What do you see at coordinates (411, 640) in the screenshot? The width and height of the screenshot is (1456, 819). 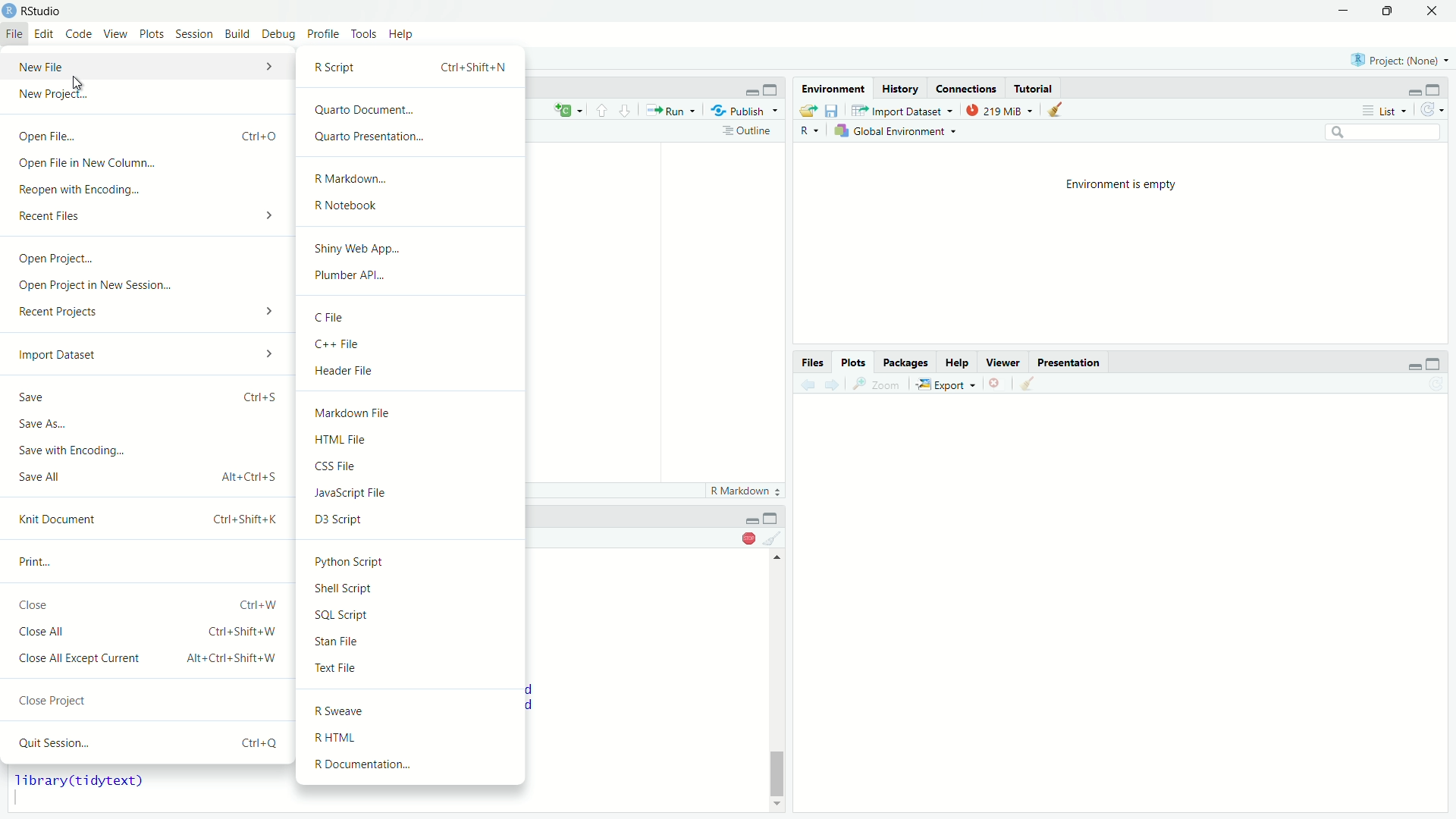 I see `Stan File` at bounding box center [411, 640].